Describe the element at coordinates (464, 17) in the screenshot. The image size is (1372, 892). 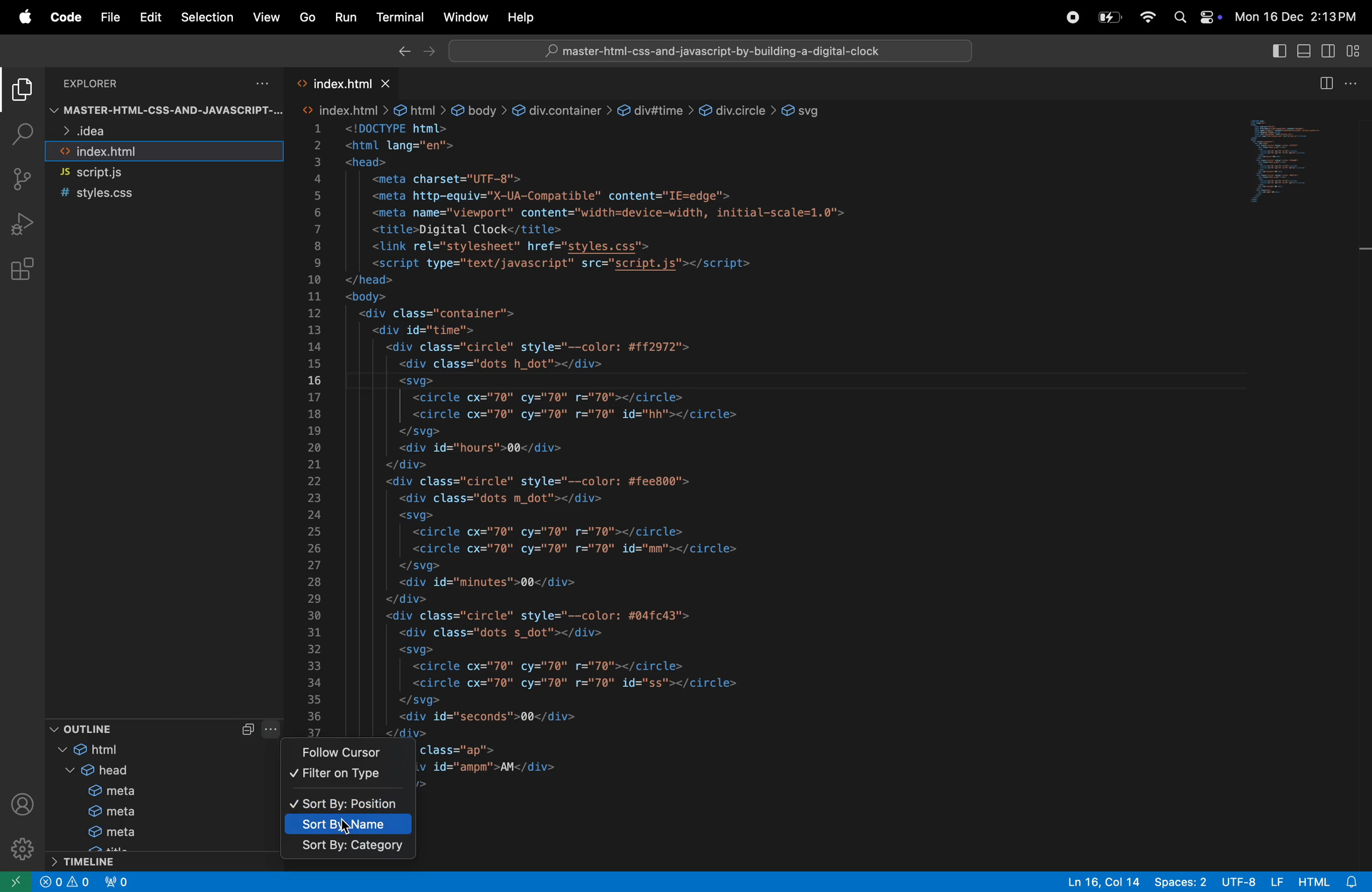
I see `window` at that location.